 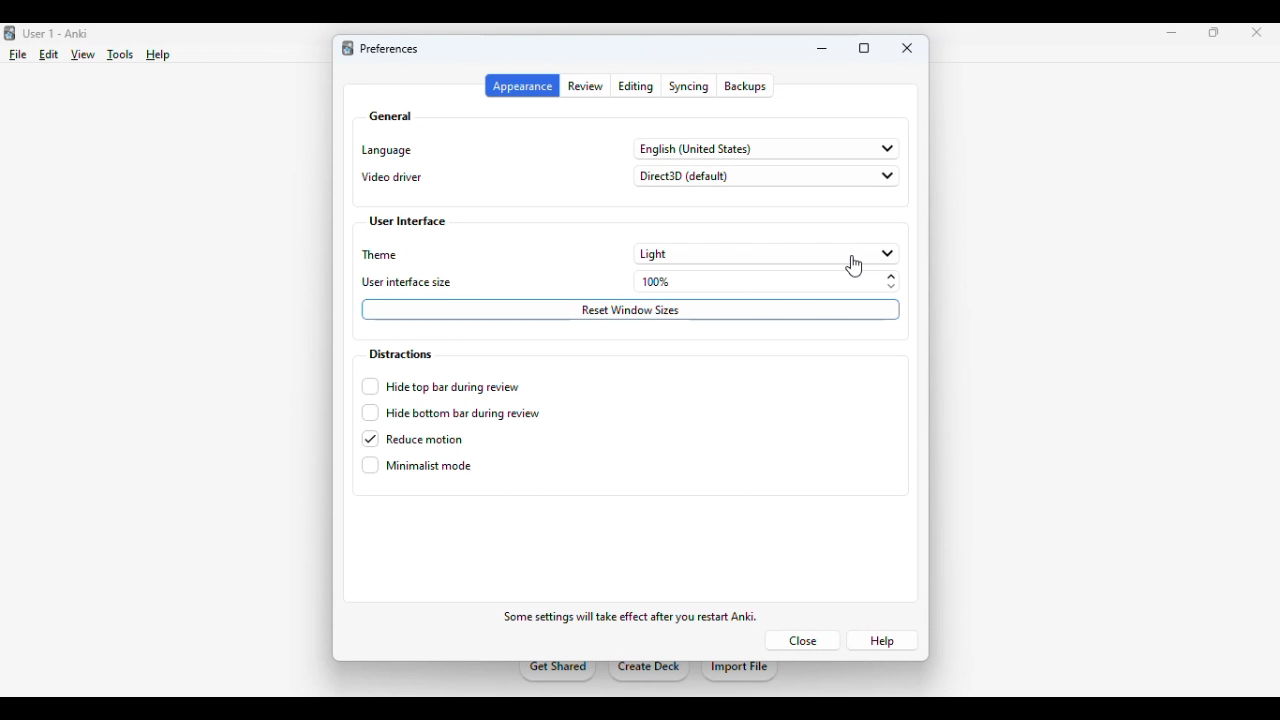 What do you see at coordinates (882, 641) in the screenshot?
I see `help` at bounding box center [882, 641].